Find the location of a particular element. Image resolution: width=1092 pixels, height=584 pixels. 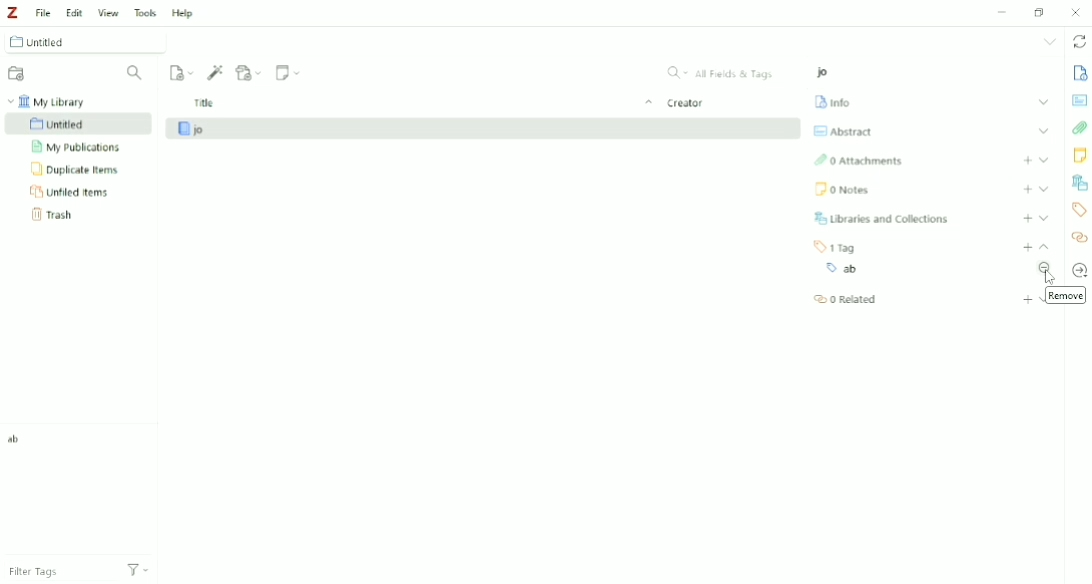

Title is located at coordinates (419, 103).